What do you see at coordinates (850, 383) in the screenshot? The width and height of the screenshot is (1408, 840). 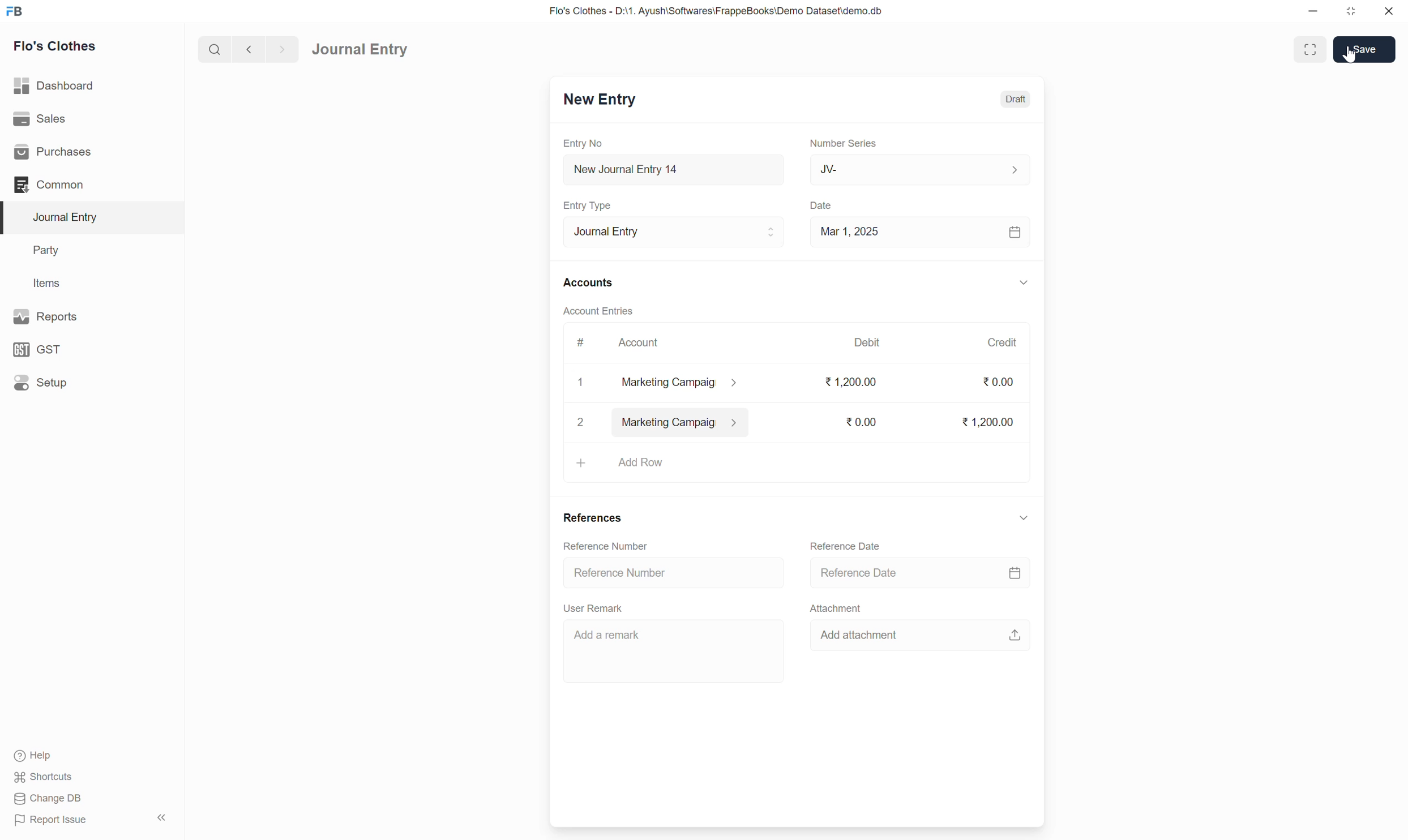 I see `1,200.00` at bounding box center [850, 383].